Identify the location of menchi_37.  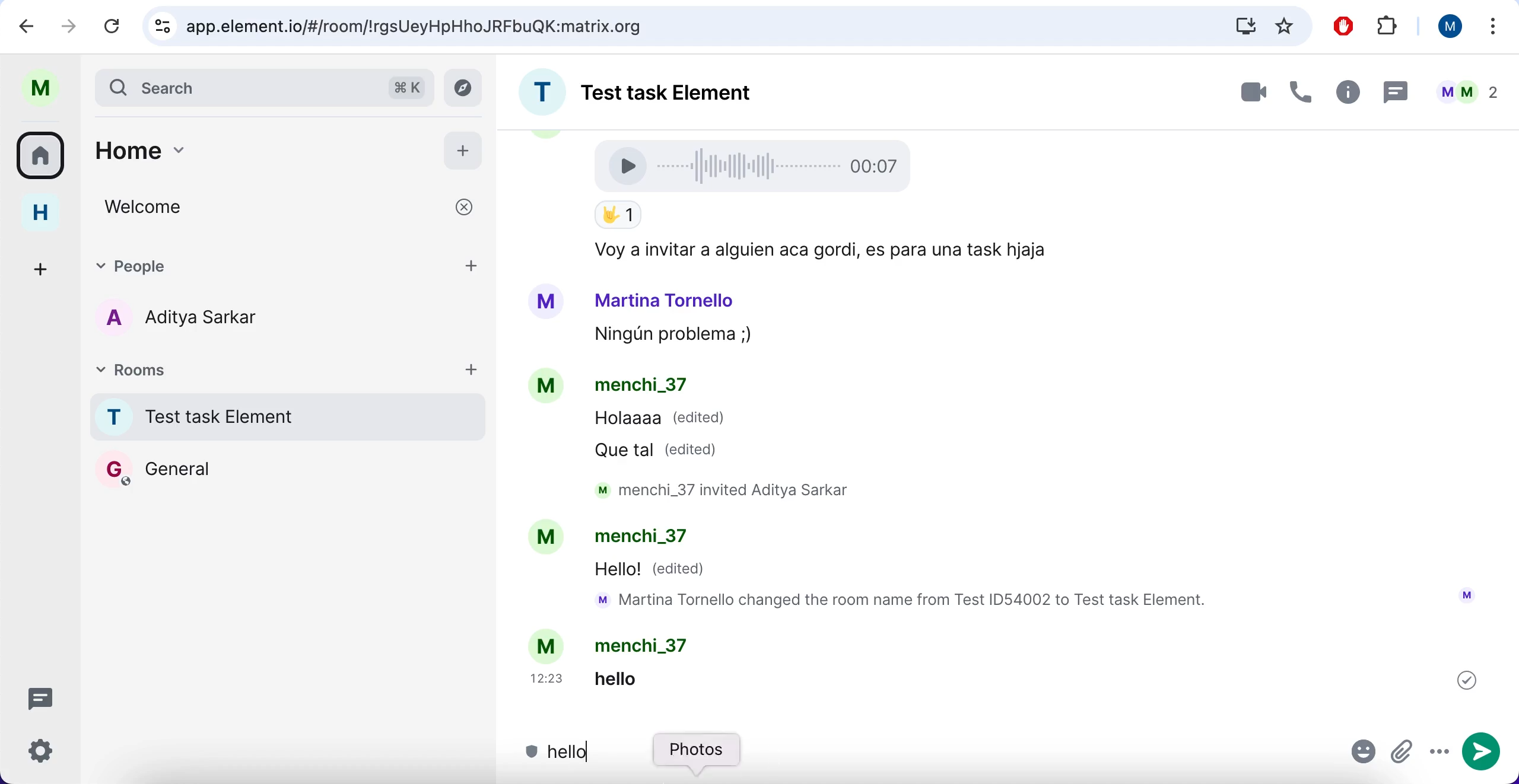
(641, 387).